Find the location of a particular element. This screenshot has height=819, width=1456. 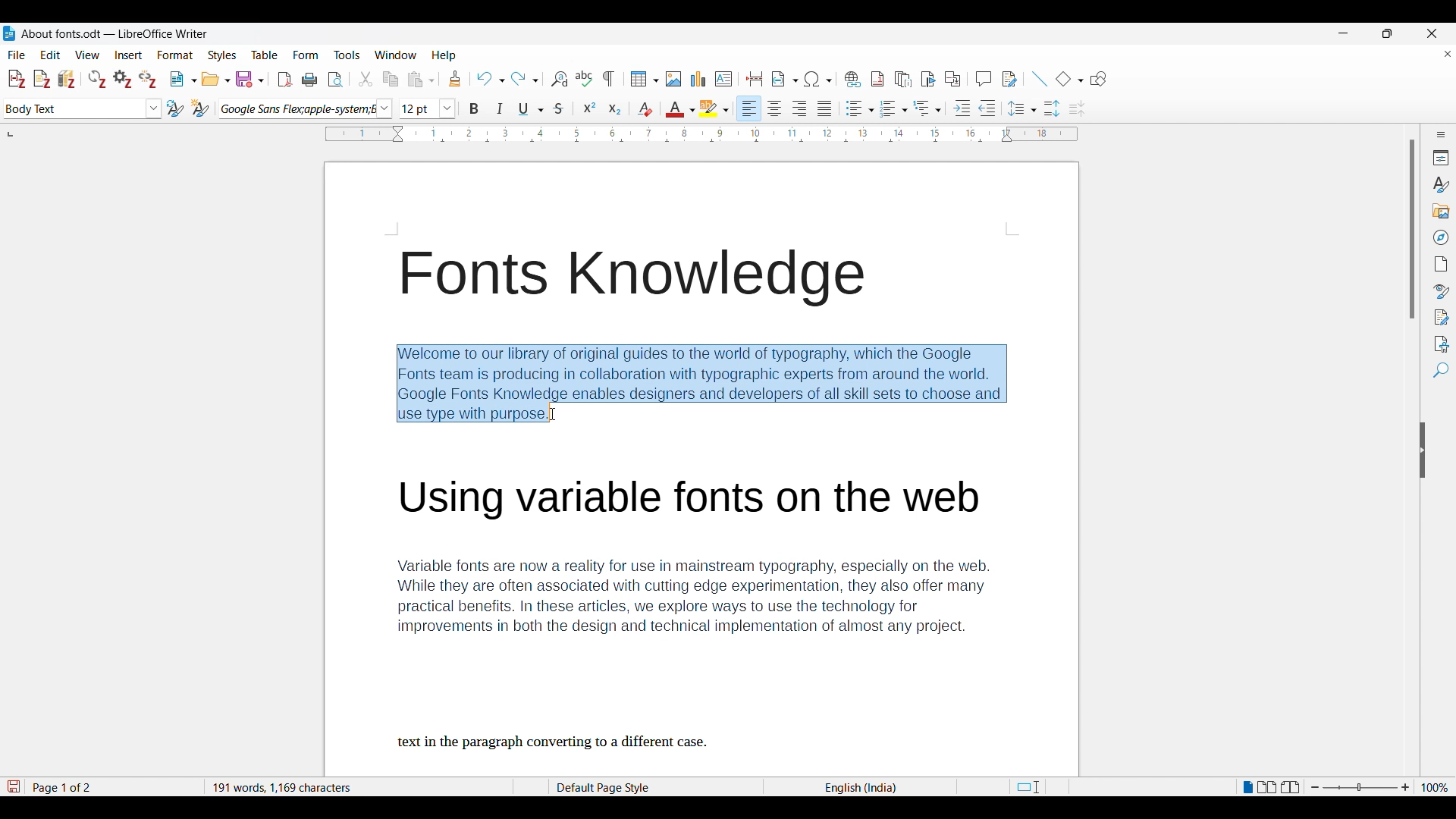

Set line spacing options is located at coordinates (1022, 108).